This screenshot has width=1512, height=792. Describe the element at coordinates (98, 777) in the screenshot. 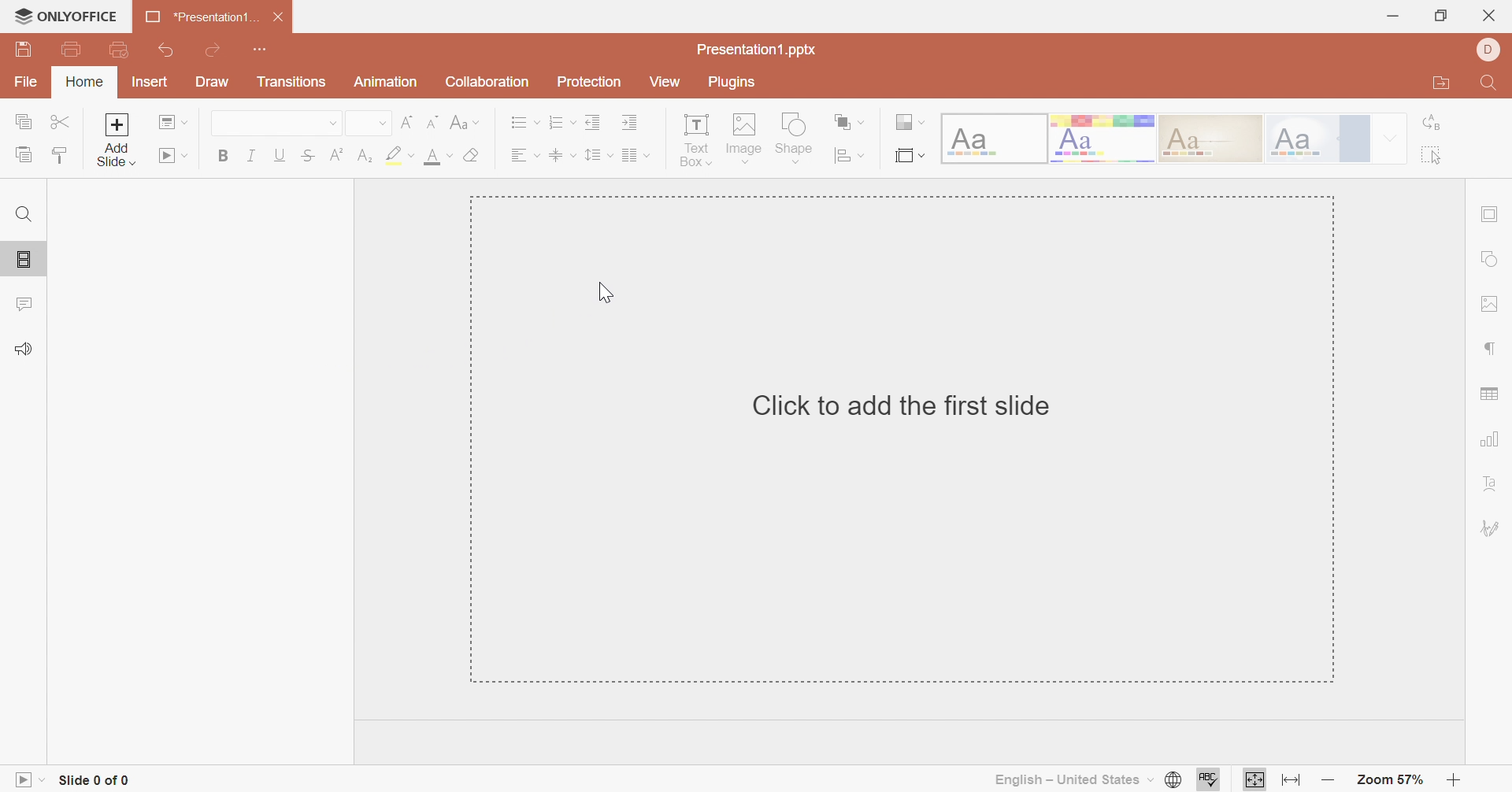

I see `side 0 of 0` at that location.